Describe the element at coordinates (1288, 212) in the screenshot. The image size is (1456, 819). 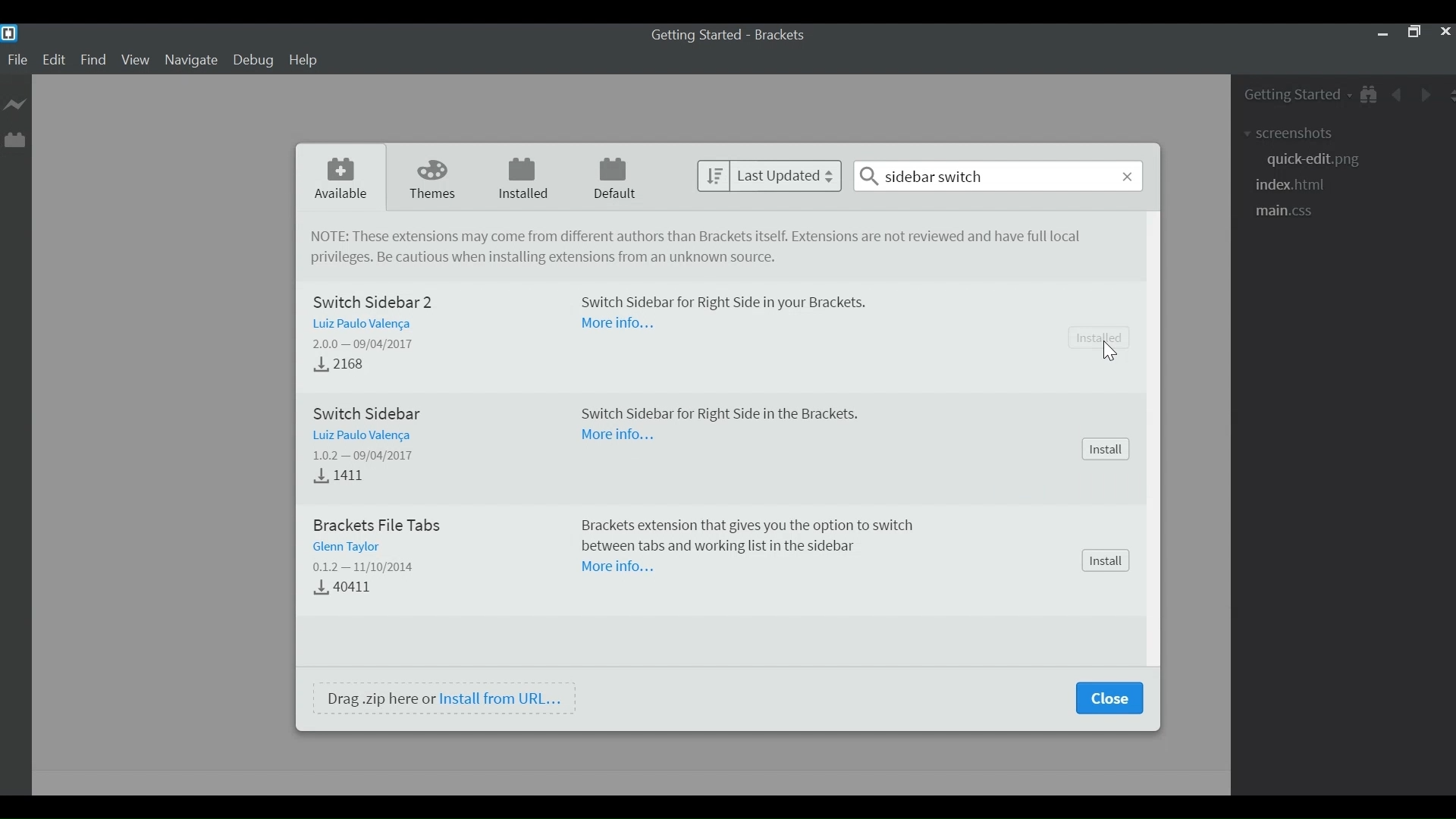
I see `css file` at that location.